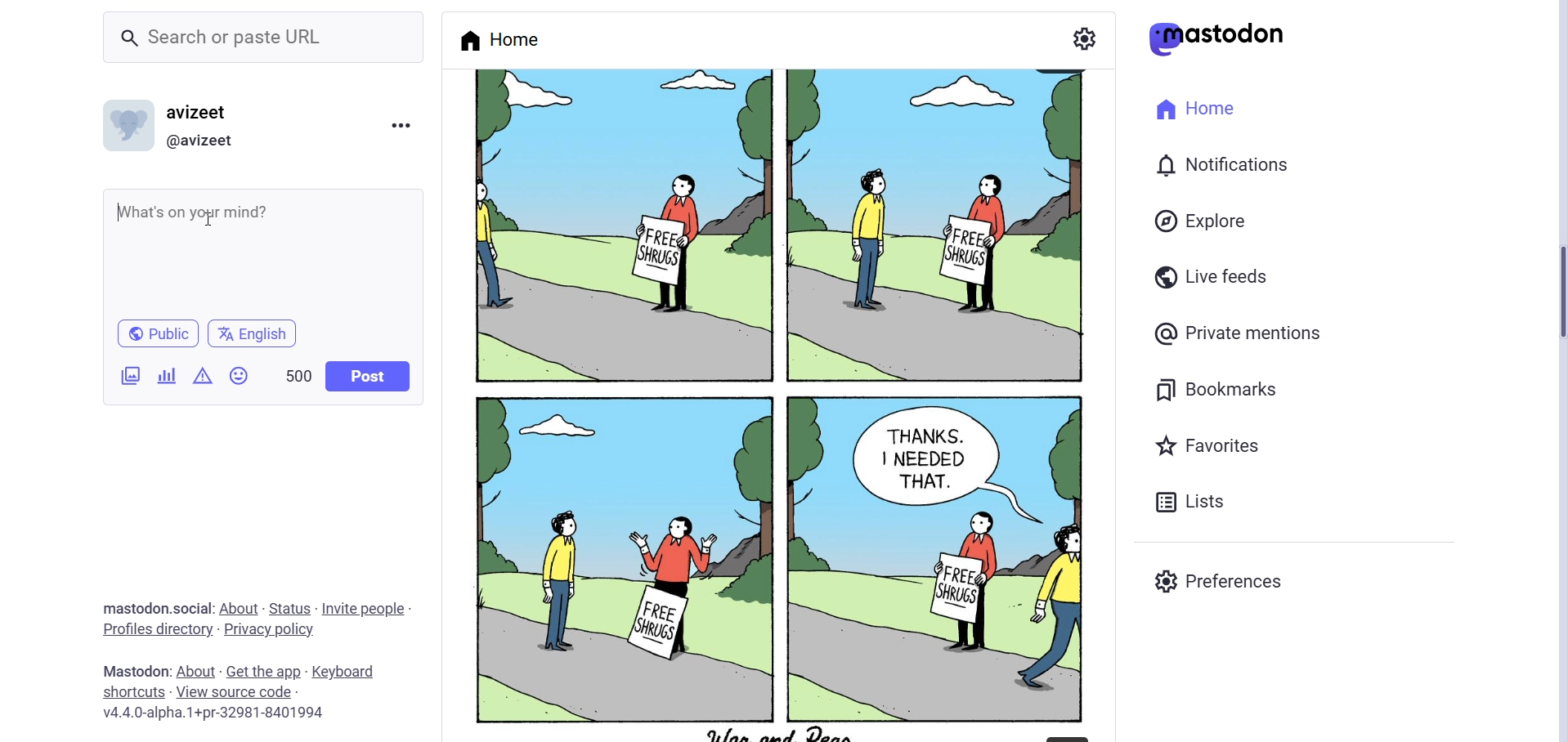  What do you see at coordinates (1084, 37) in the screenshot?
I see `Setting` at bounding box center [1084, 37].